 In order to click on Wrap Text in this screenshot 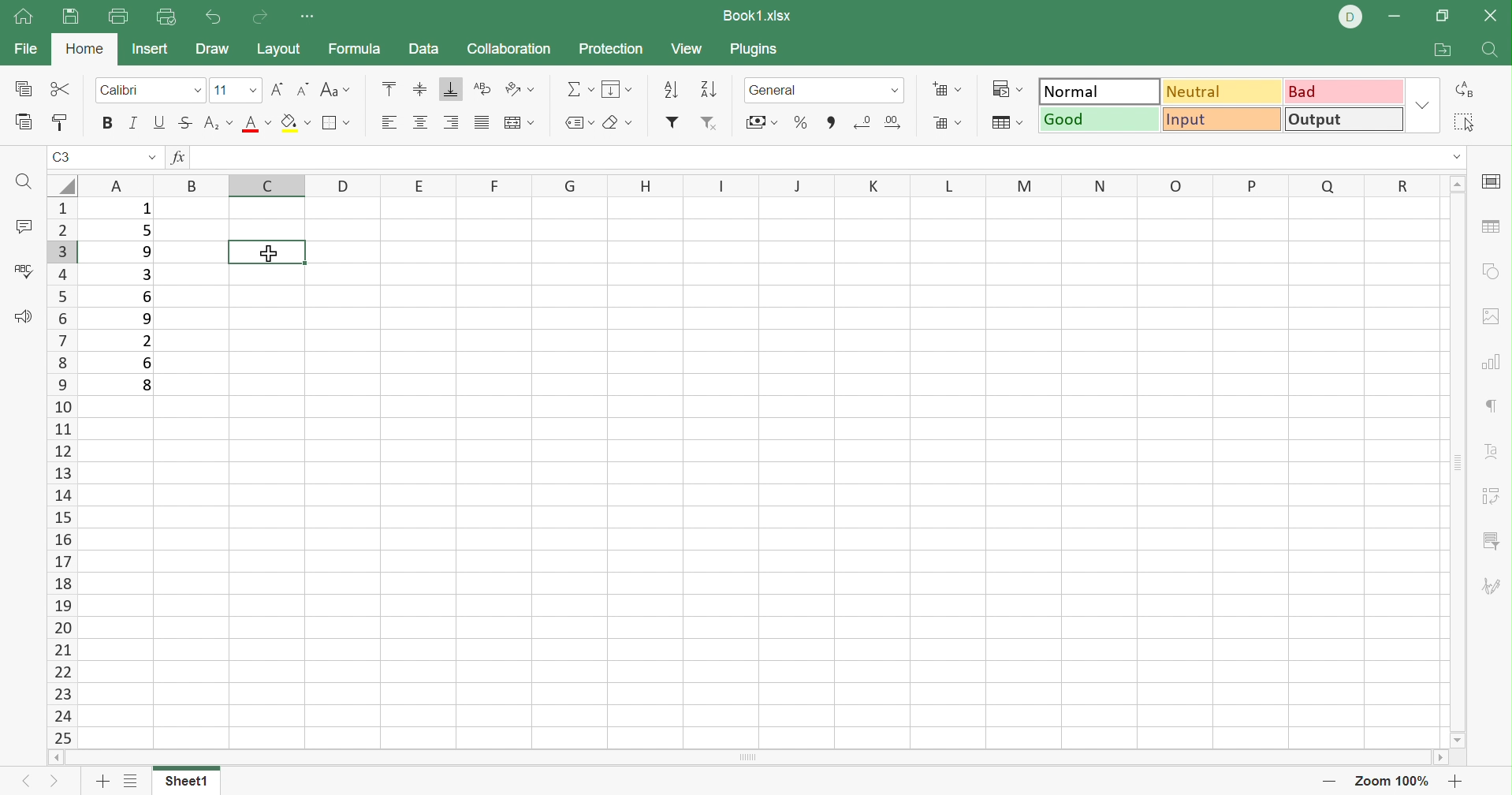, I will do `click(482, 88)`.